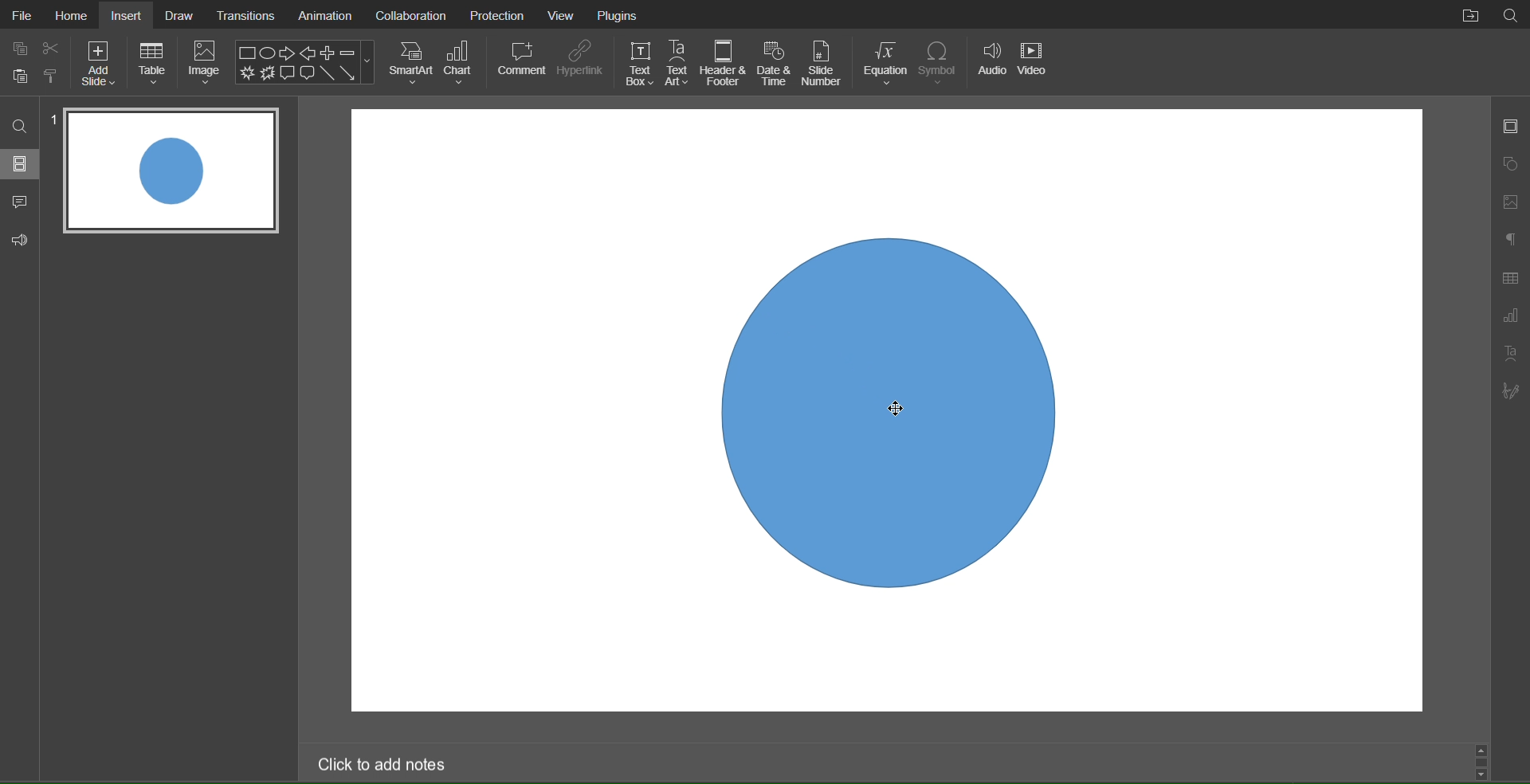 This screenshot has width=1530, height=784. What do you see at coordinates (885, 63) in the screenshot?
I see `Equation` at bounding box center [885, 63].